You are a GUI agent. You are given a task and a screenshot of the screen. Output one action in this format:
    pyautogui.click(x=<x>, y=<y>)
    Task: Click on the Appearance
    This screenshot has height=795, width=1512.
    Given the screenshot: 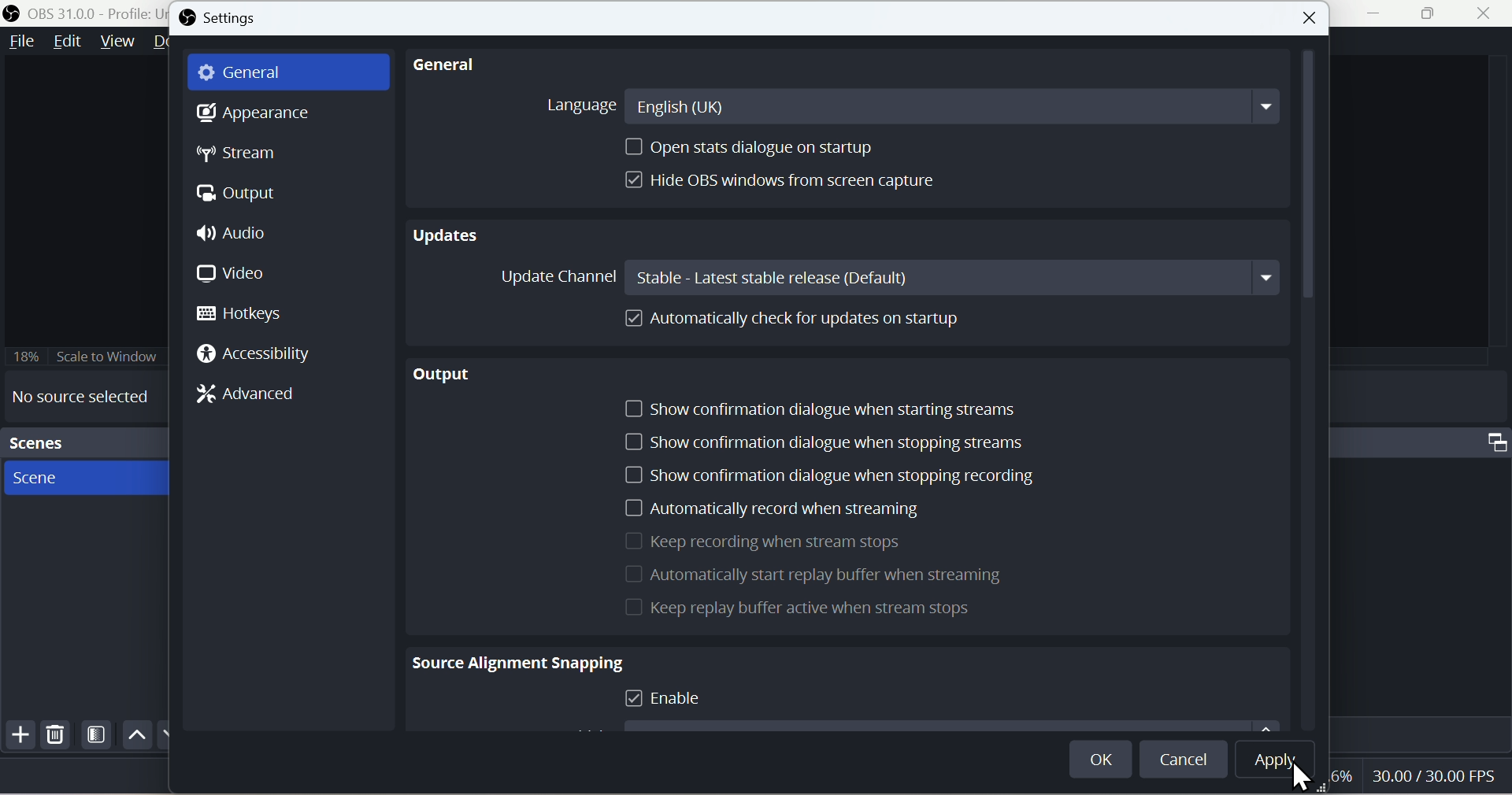 What is the action you would take?
    pyautogui.click(x=250, y=113)
    